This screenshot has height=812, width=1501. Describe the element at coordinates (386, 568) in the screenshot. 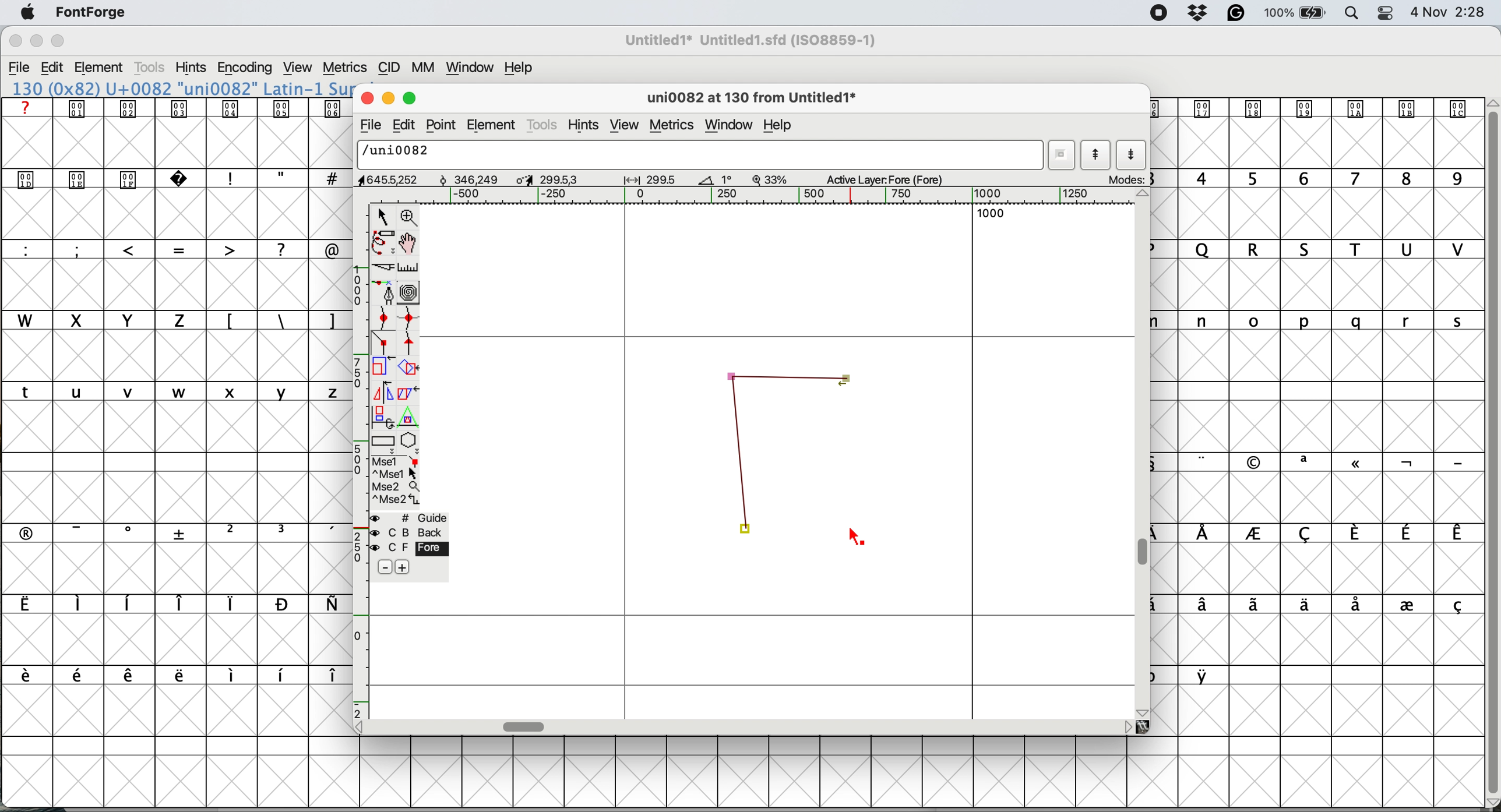

I see `remove` at that location.